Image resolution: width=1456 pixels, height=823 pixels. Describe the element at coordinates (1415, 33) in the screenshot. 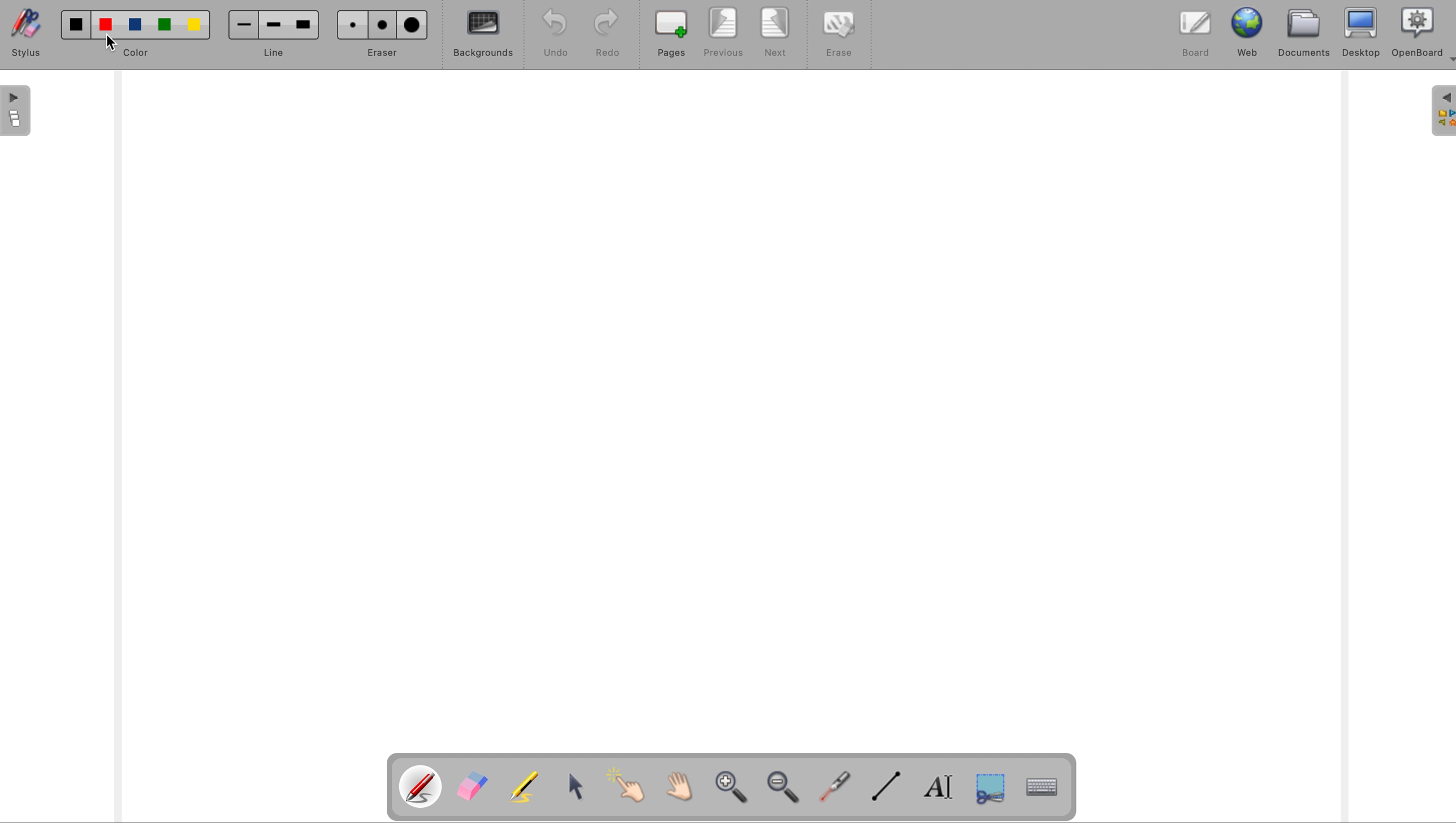

I see `openboard` at that location.